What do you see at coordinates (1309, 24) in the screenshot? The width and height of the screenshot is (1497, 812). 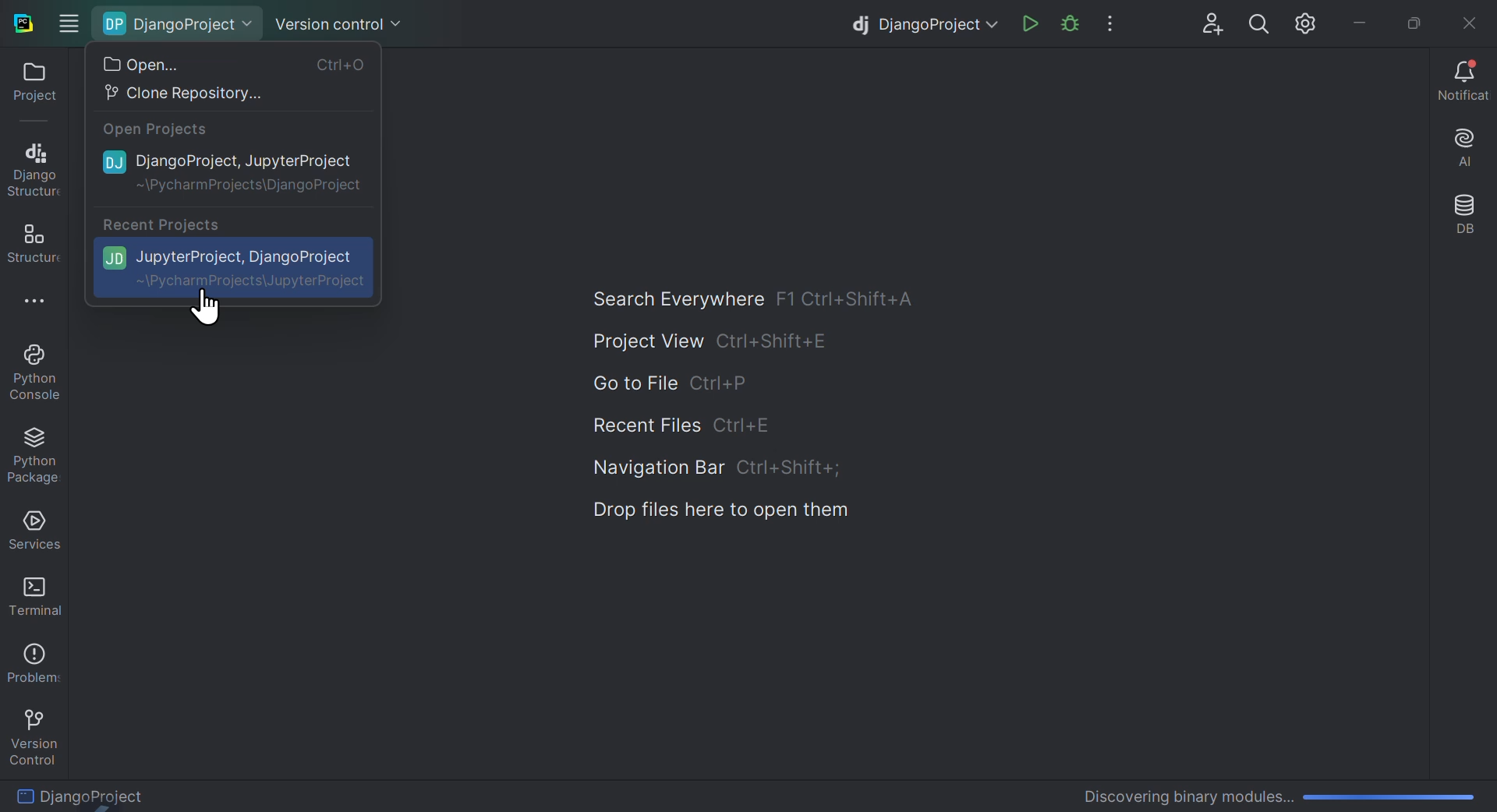 I see `Settings` at bounding box center [1309, 24].